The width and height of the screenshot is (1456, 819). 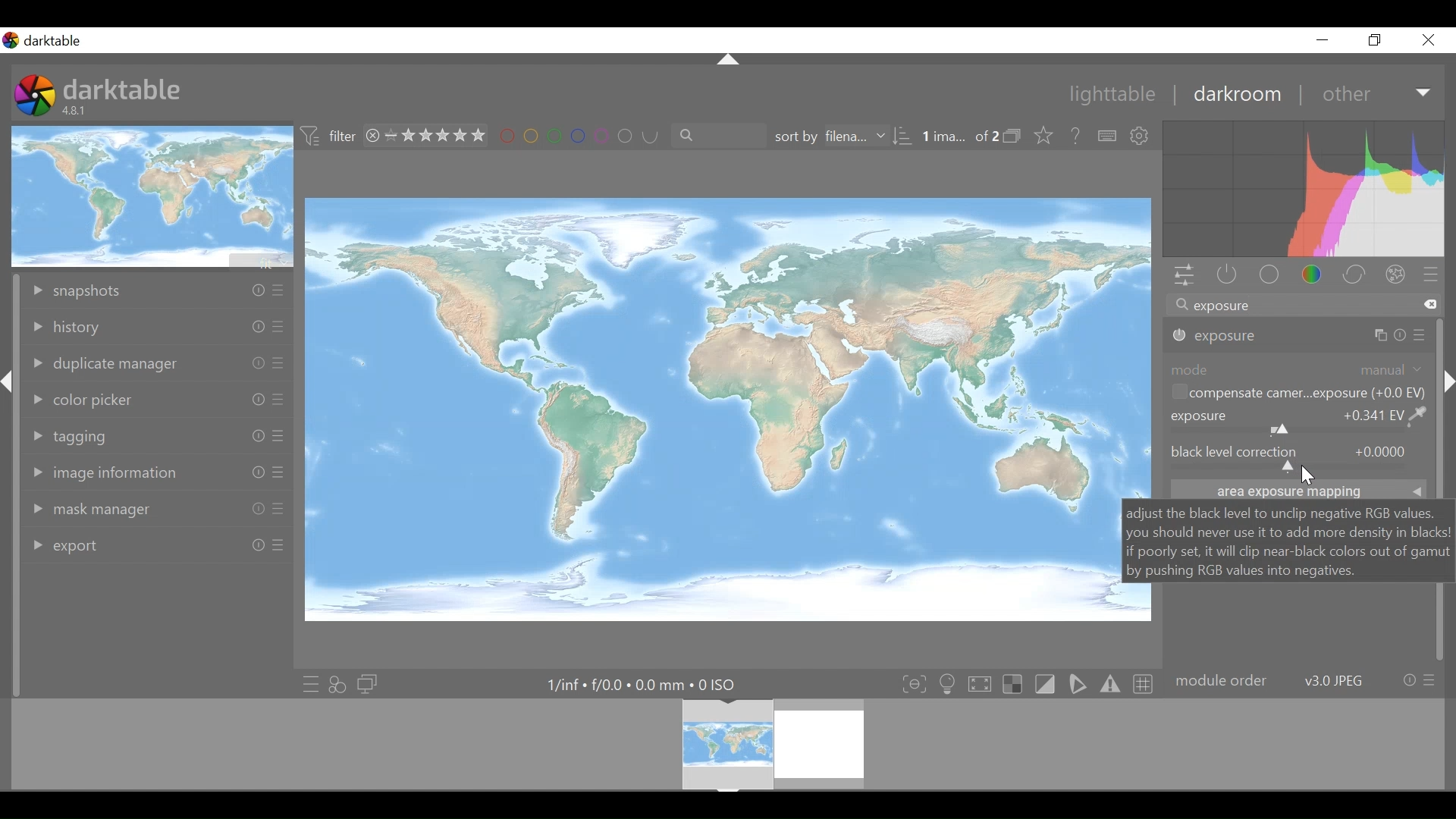 What do you see at coordinates (1304, 679) in the screenshot?
I see `module order` at bounding box center [1304, 679].